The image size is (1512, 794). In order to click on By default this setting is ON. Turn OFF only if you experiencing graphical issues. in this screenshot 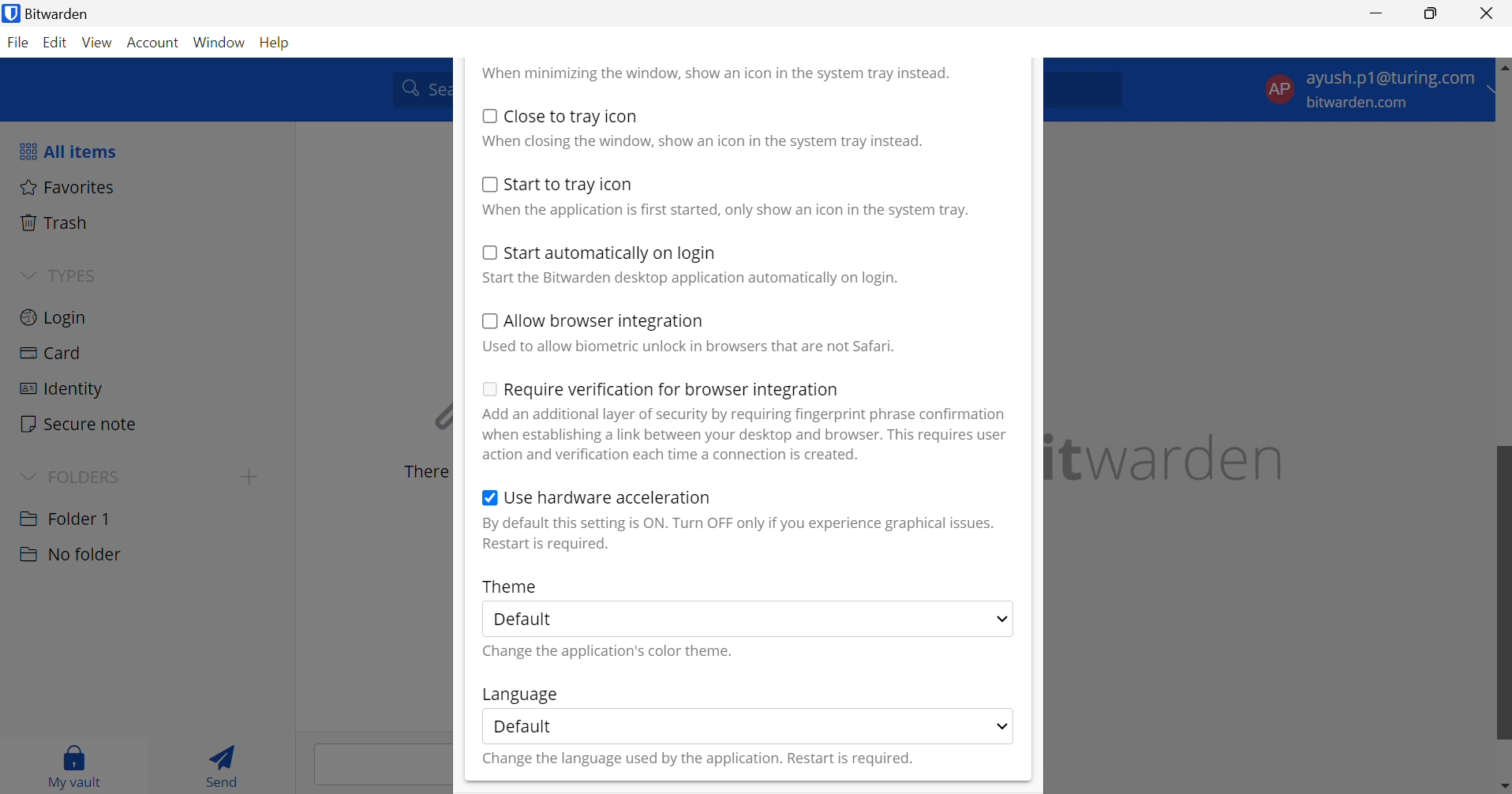, I will do `click(738, 523)`.